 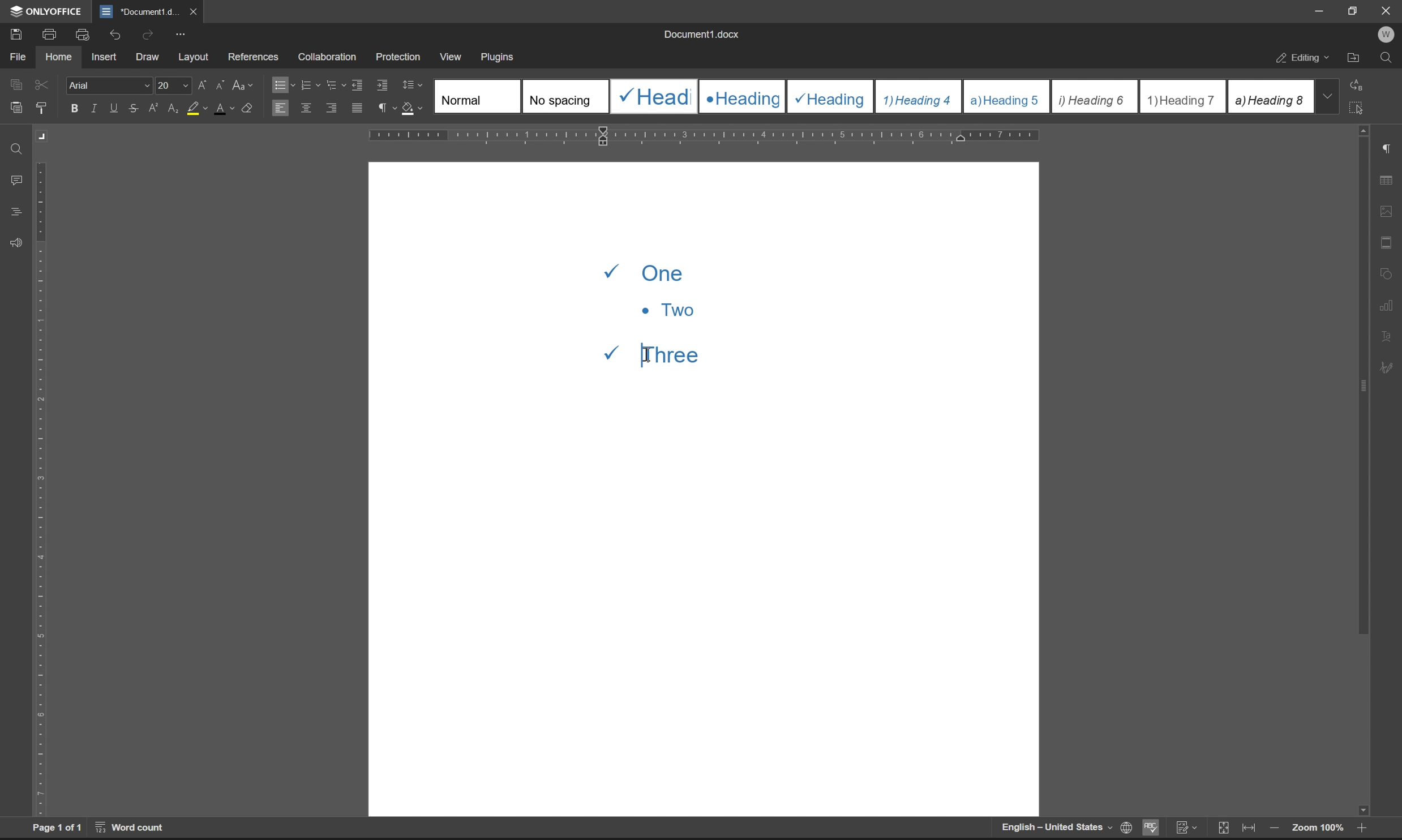 What do you see at coordinates (410, 106) in the screenshot?
I see `shading` at bounding box center [410, 106].